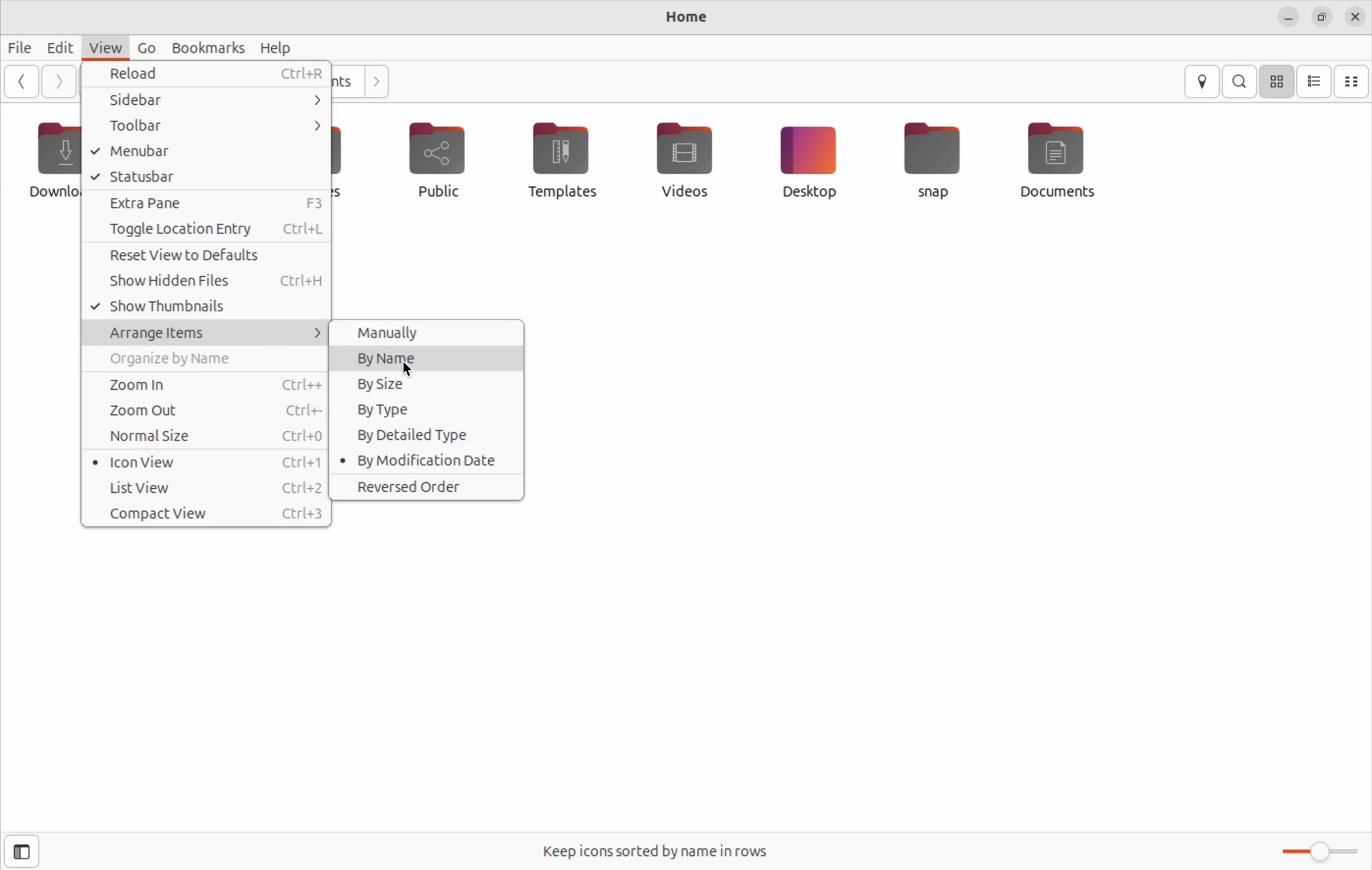  Describe the element at coordinates (106, 47) in the screenshot. I see `view` at that location.